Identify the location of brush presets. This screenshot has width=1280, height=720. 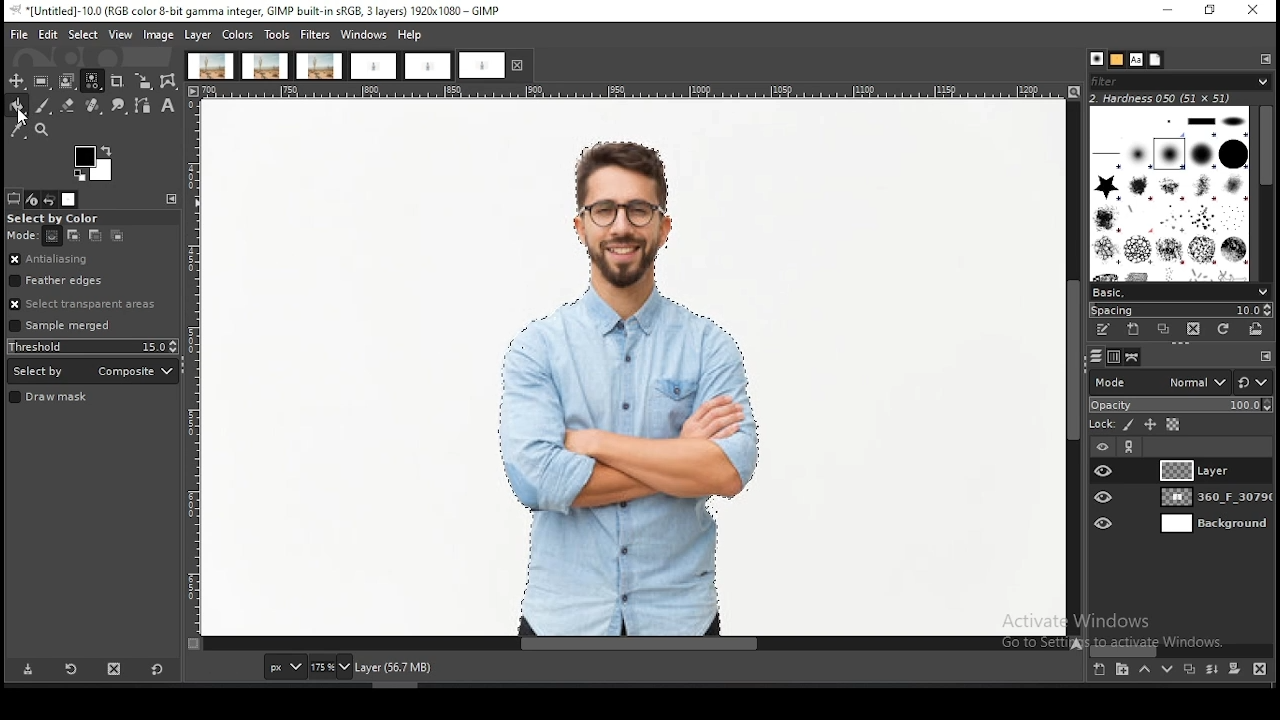
(1179, 293).